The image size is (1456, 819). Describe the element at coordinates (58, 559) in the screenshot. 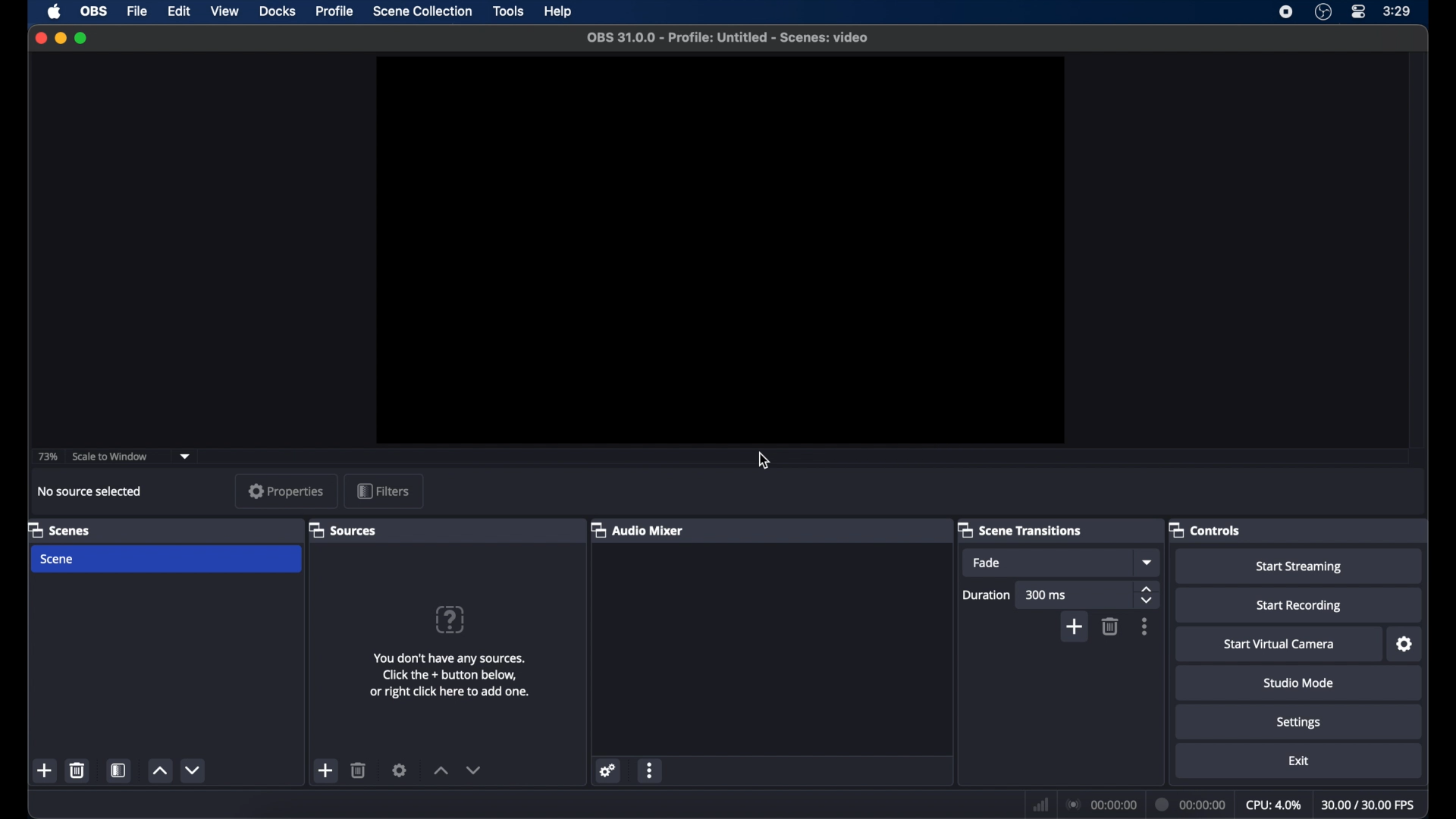

I see `scene` at that location.